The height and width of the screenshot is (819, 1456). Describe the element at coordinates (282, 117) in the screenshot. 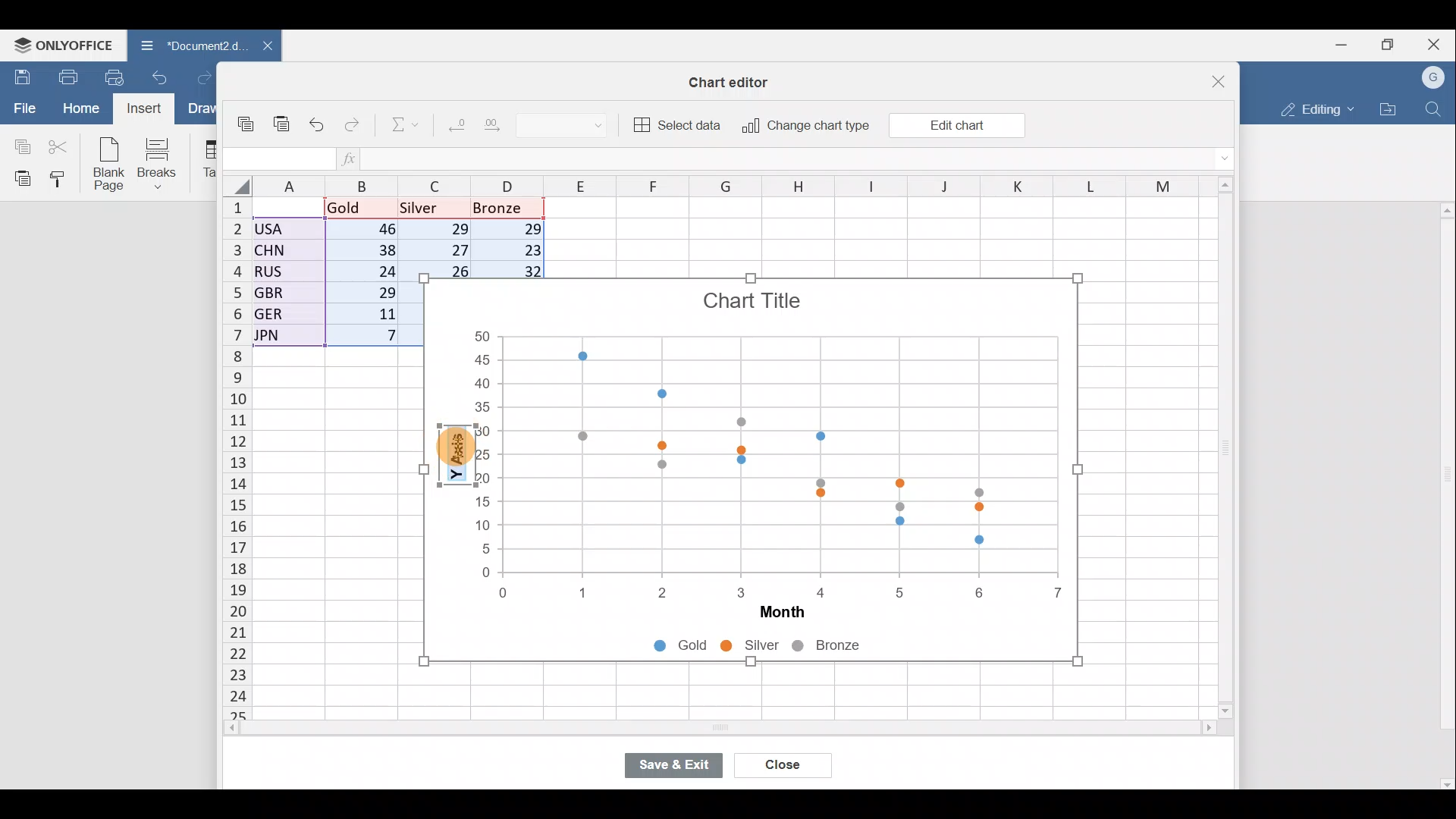

I see `Paste` at that location.